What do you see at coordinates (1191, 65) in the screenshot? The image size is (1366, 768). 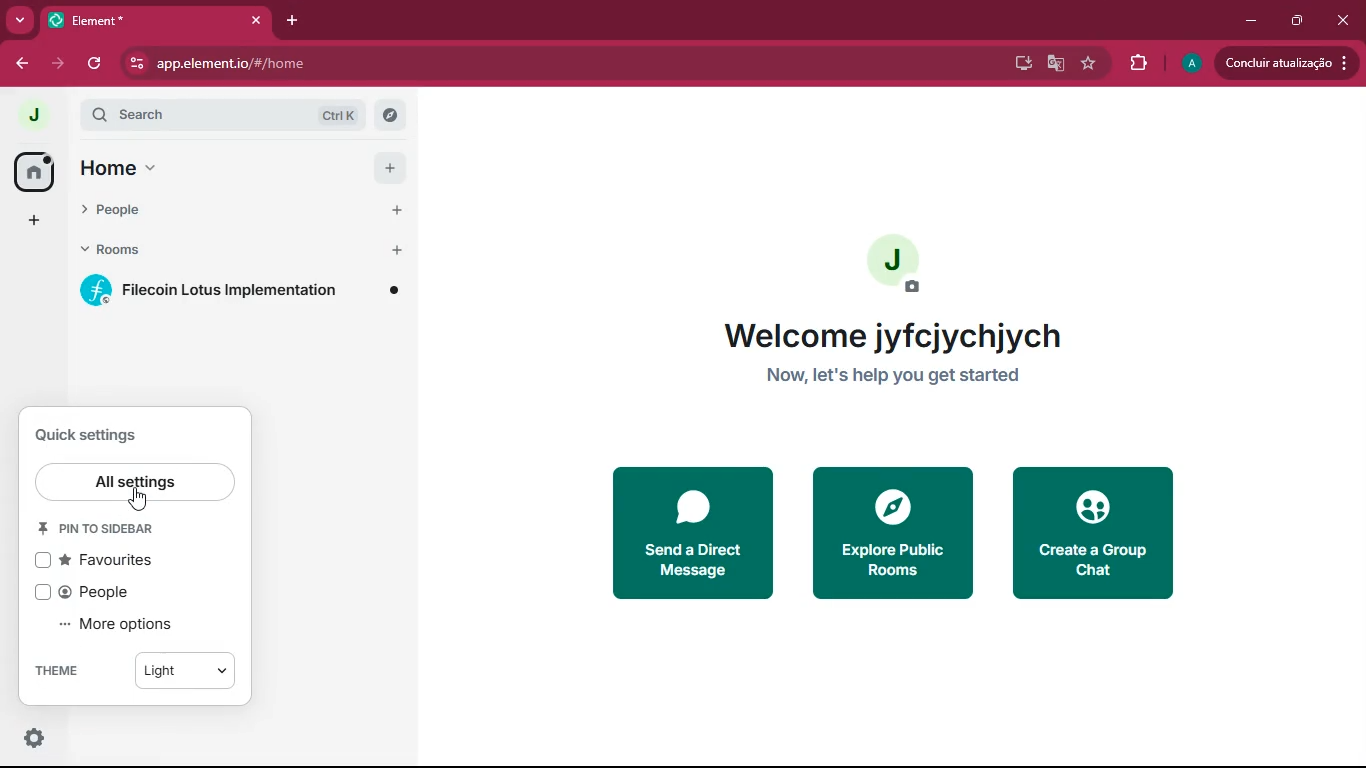 I see `profile picture` at bounding box center [1191, 65].